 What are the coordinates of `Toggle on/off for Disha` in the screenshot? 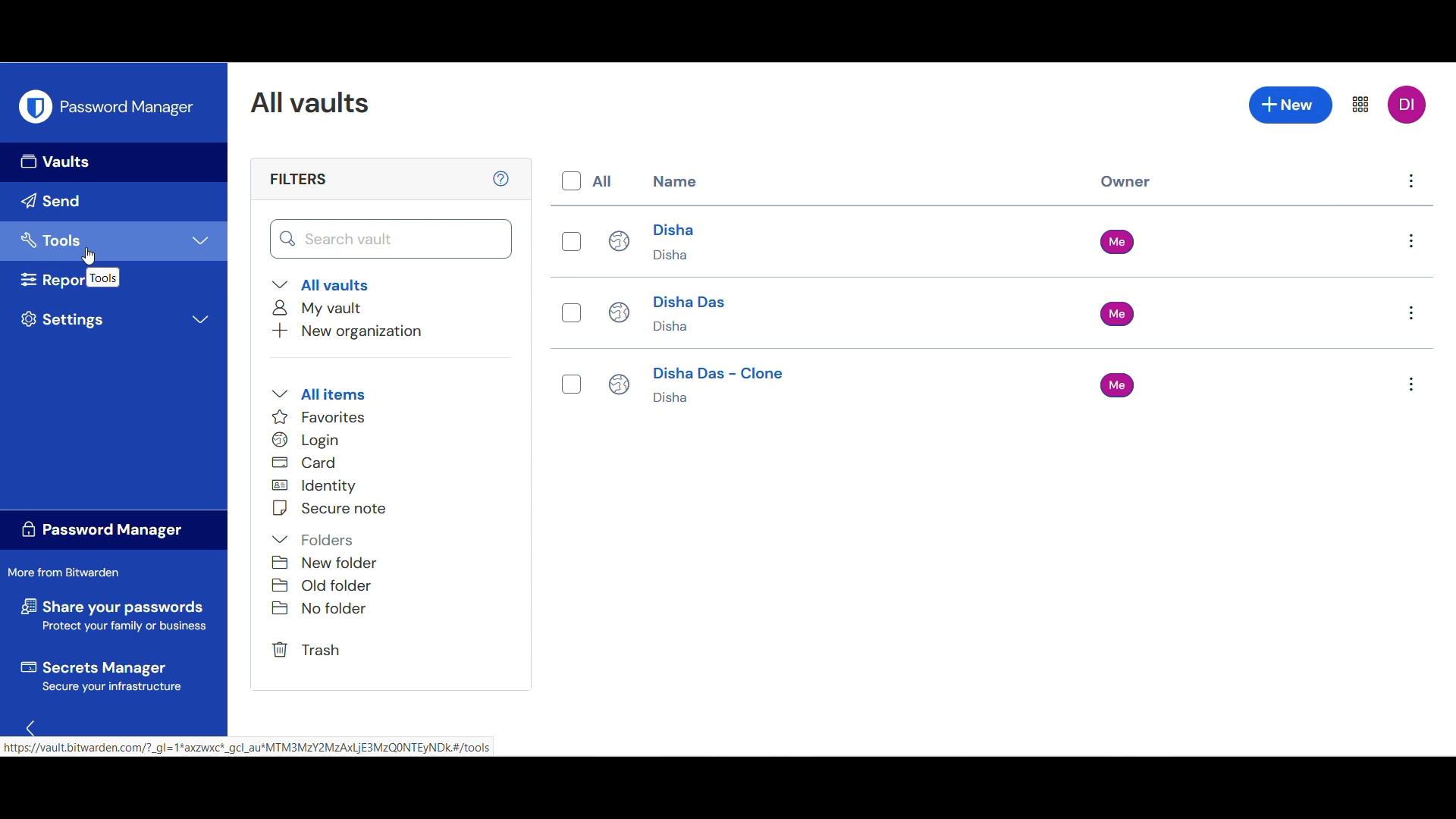 It's located at (572, 242).